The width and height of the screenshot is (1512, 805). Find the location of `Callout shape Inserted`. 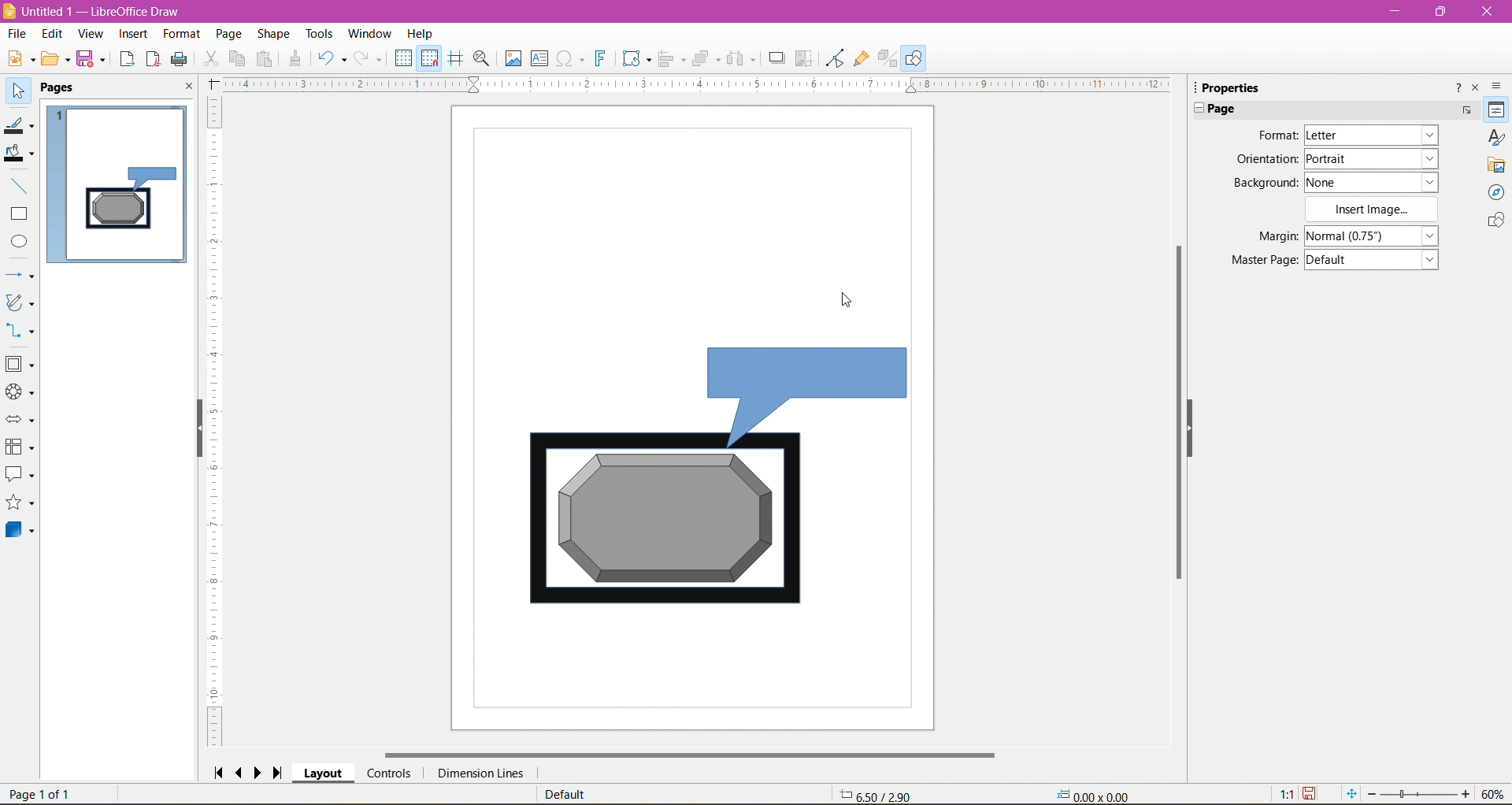

Callout shape Inserted is located at coordinates (815, 394).